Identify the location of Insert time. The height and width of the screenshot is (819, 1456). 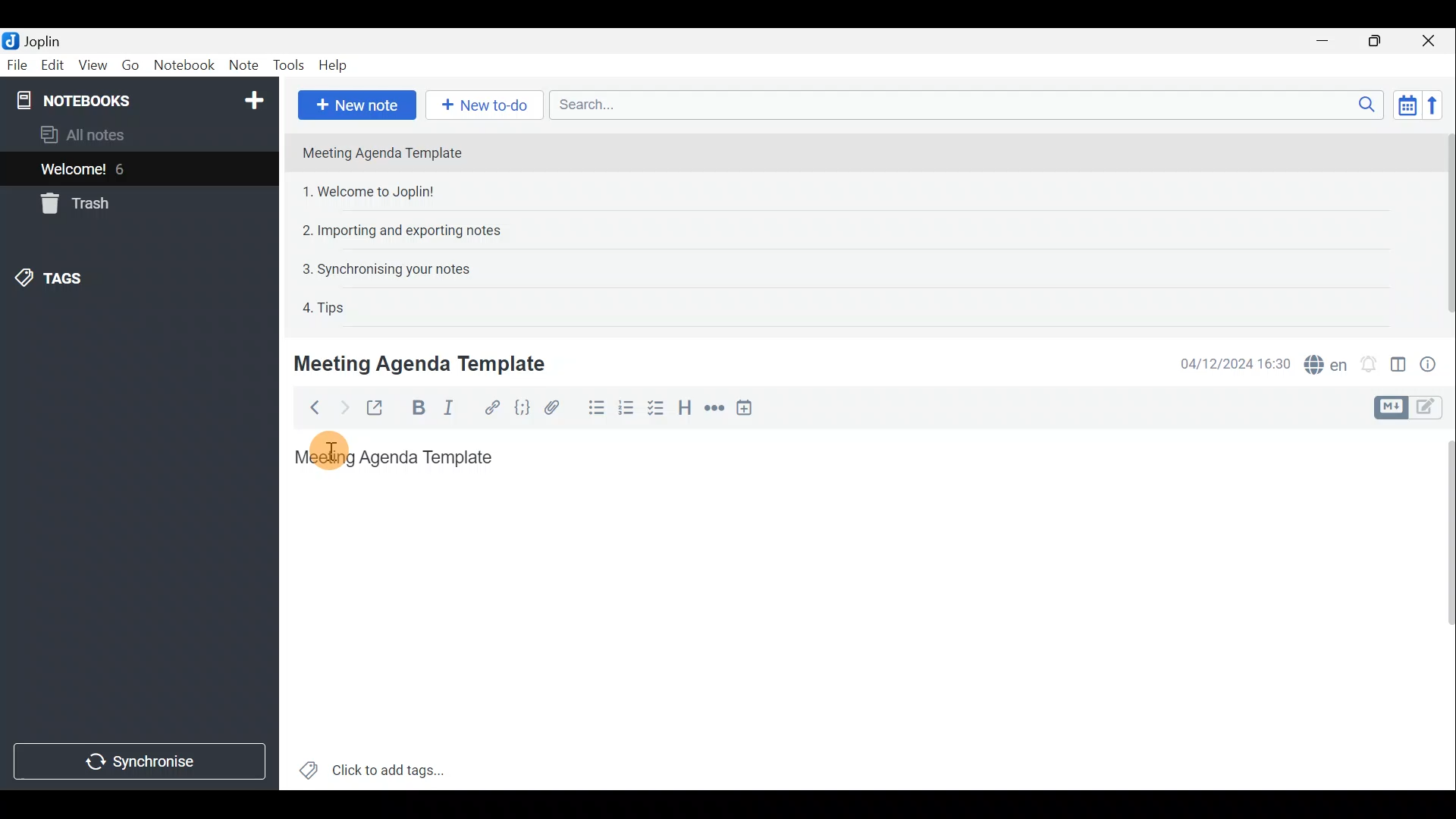
(748, 410).